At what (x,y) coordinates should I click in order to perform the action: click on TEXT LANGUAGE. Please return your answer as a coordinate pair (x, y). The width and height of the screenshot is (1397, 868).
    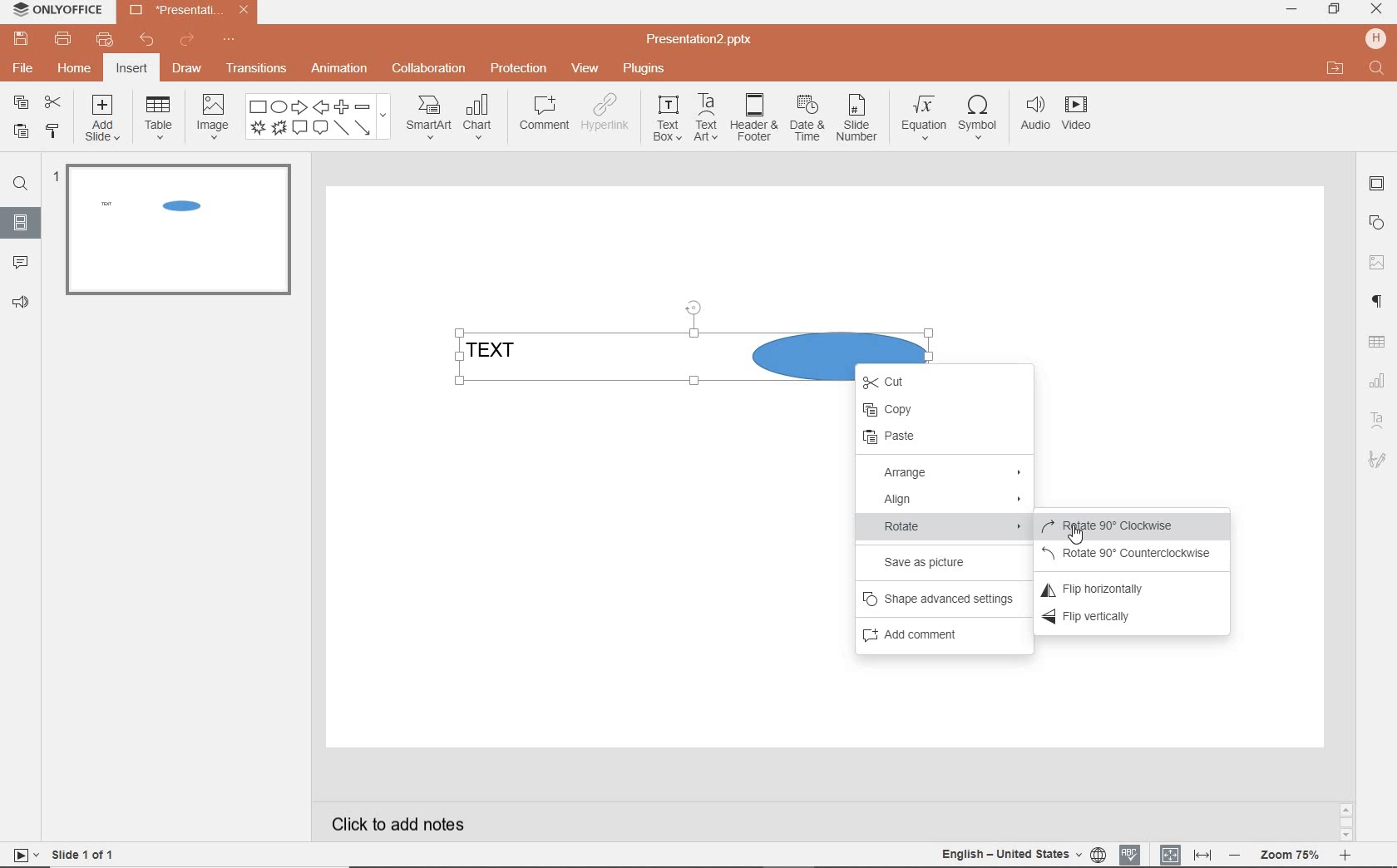
    Looking at the image, I should click on (1021, 855).